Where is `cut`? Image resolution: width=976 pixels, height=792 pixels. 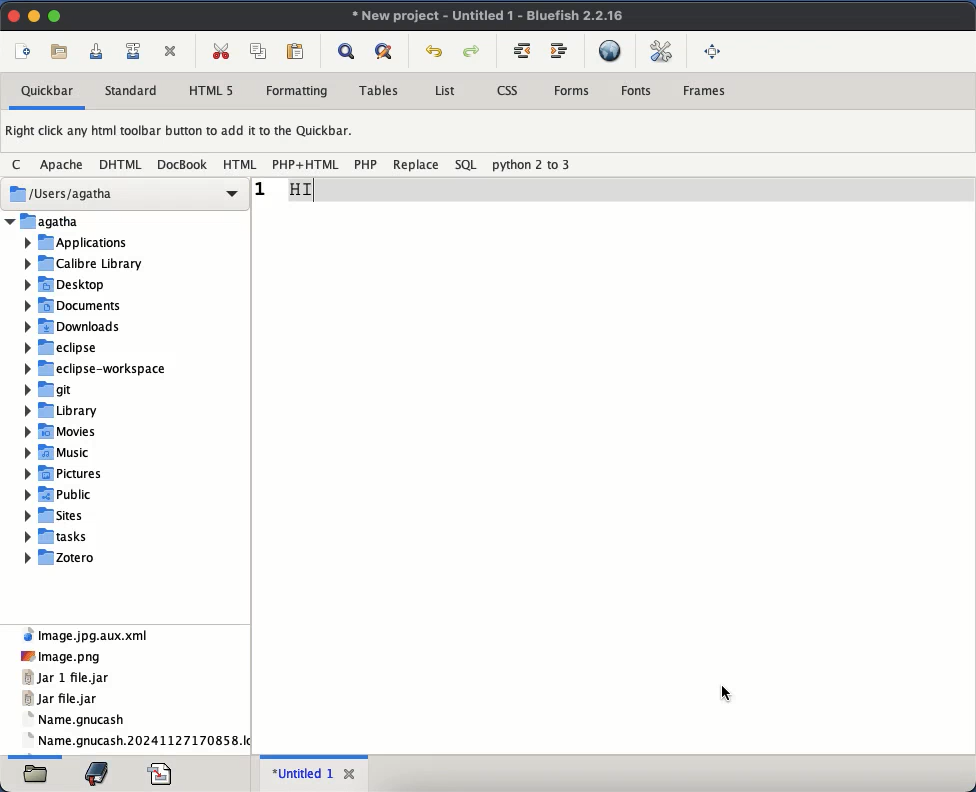 cut is located at coordinates (172, 52).